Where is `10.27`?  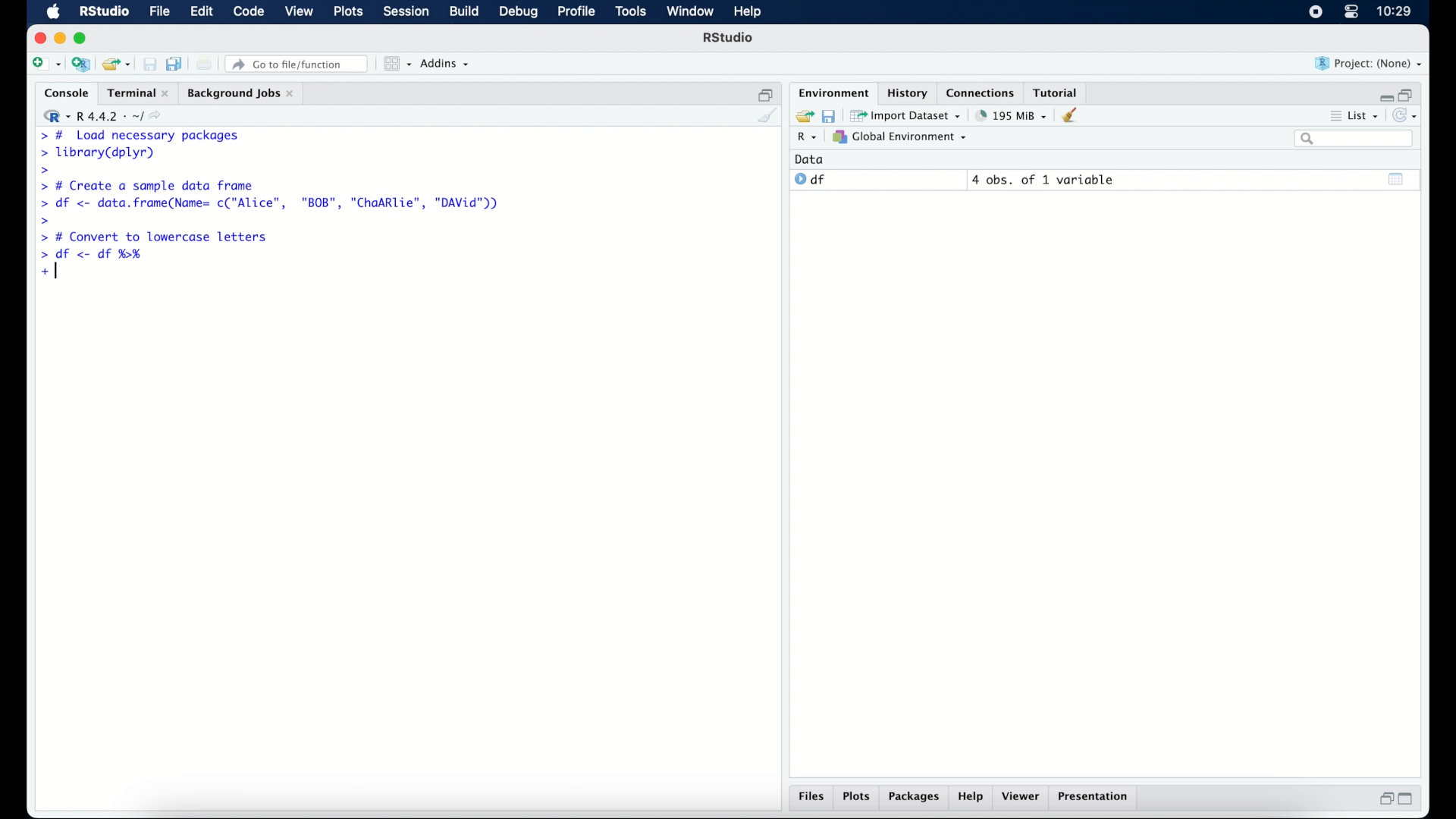
10.27 is located at coordinates (1394, 11).